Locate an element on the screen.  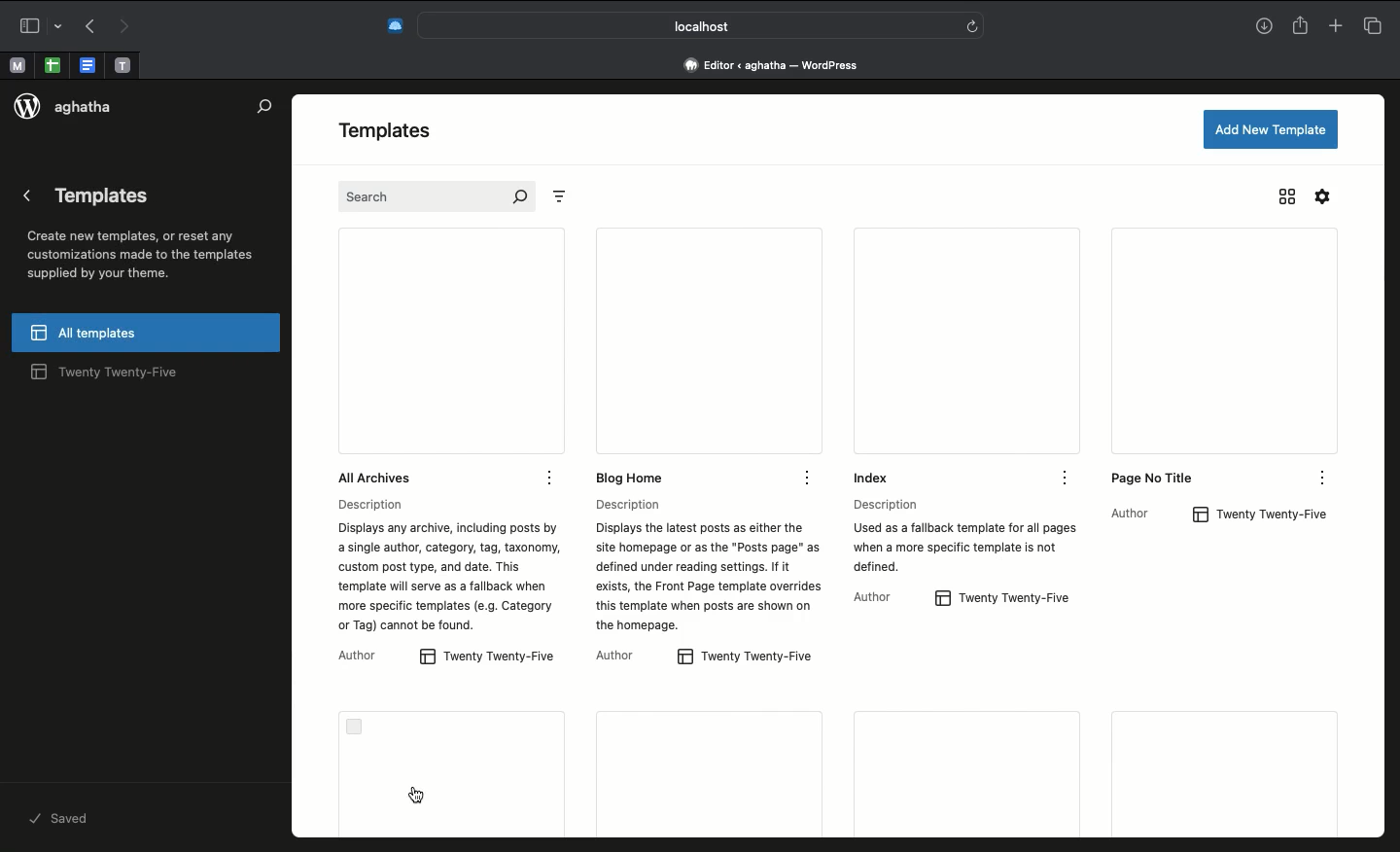
twenty twenty-five is located at coordinates (489, 657).